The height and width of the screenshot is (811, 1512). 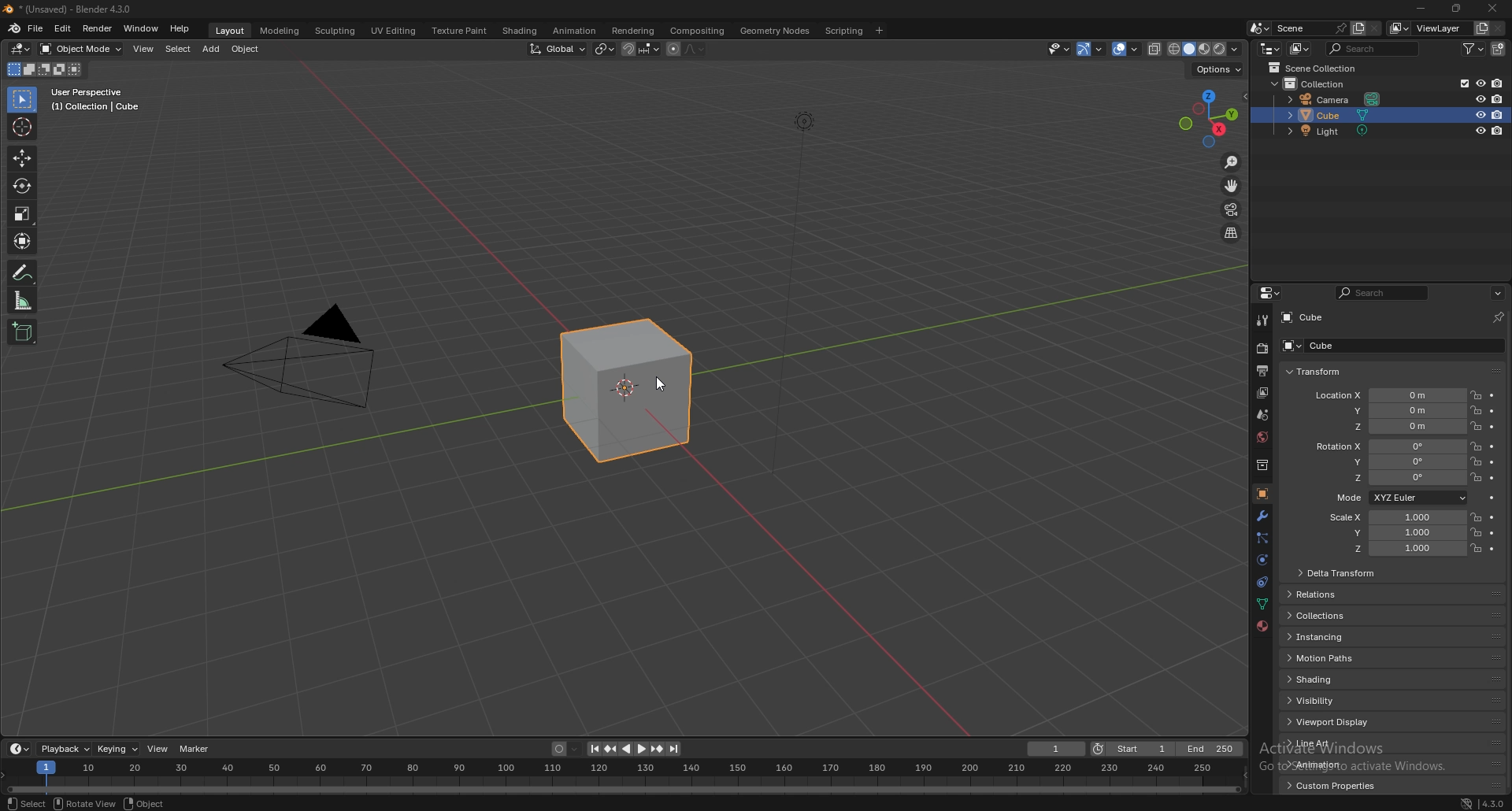 I want to click on show overlay, so click(x=1128, y=49).